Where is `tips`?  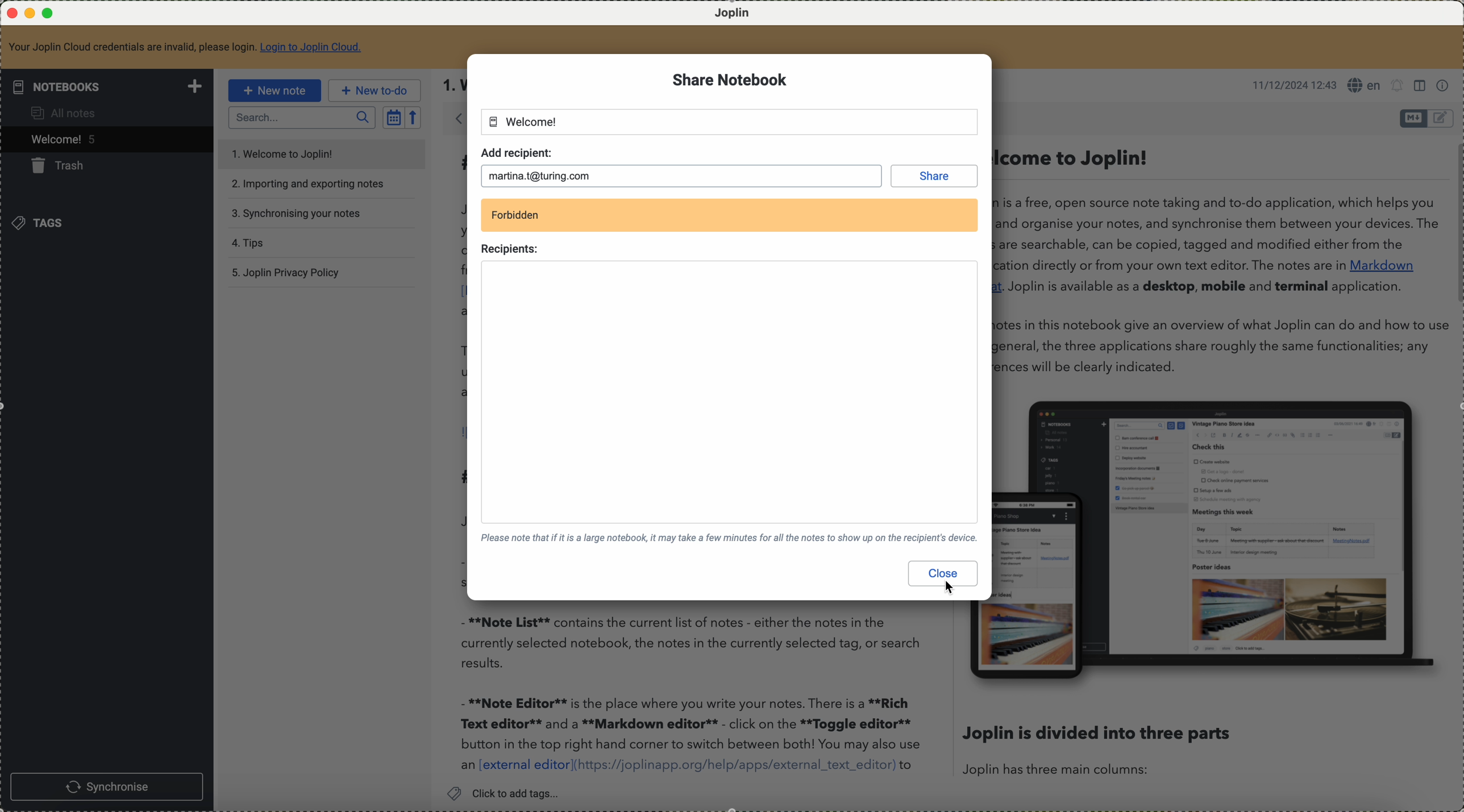 tips is located at coordinates (248, 241).